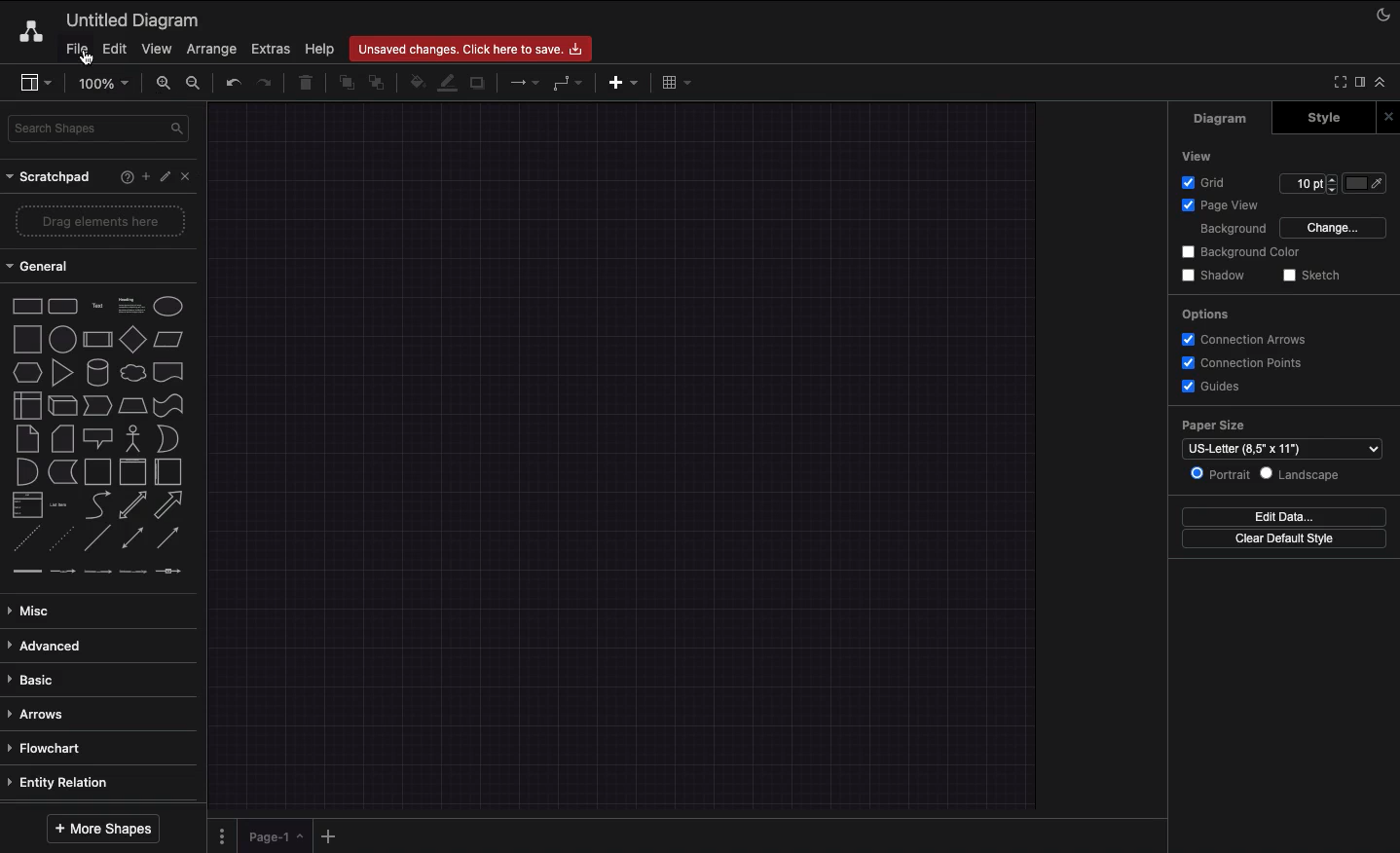  What do you see at coordinates (264, 84) in the screenshot?
I see `Redo` at bounding box center [264, 84].